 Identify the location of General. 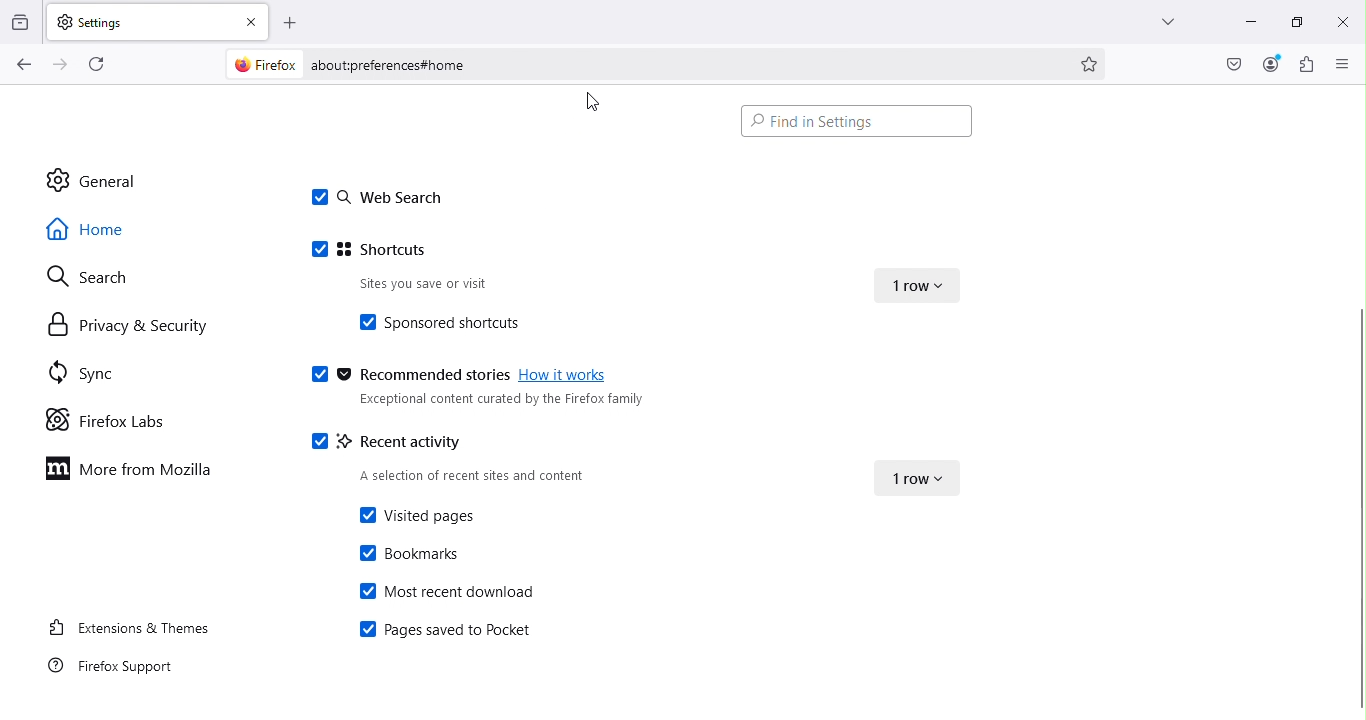
(110, 180).